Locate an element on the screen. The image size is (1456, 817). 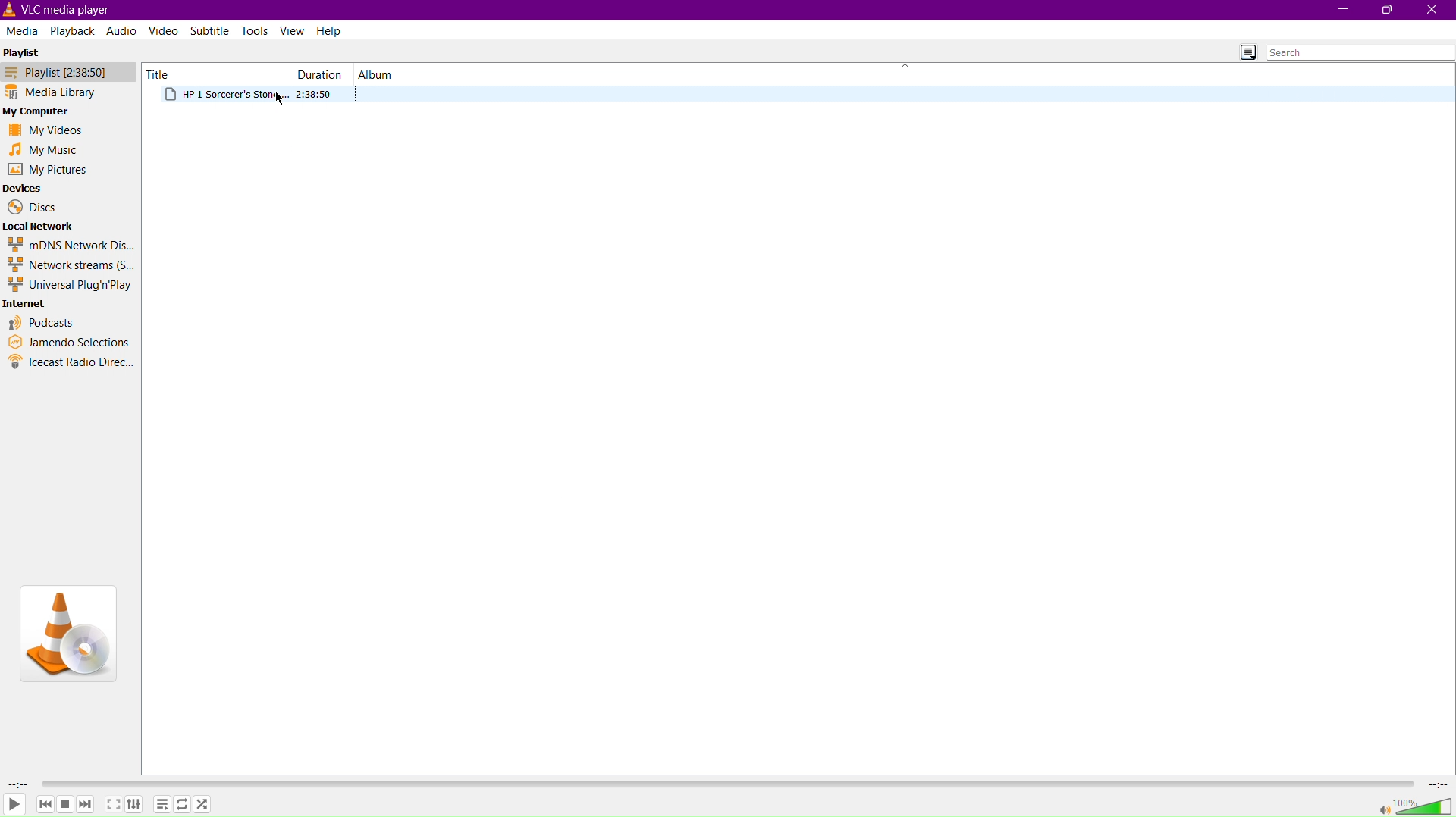
Close is located at coordinates (1434, 11).